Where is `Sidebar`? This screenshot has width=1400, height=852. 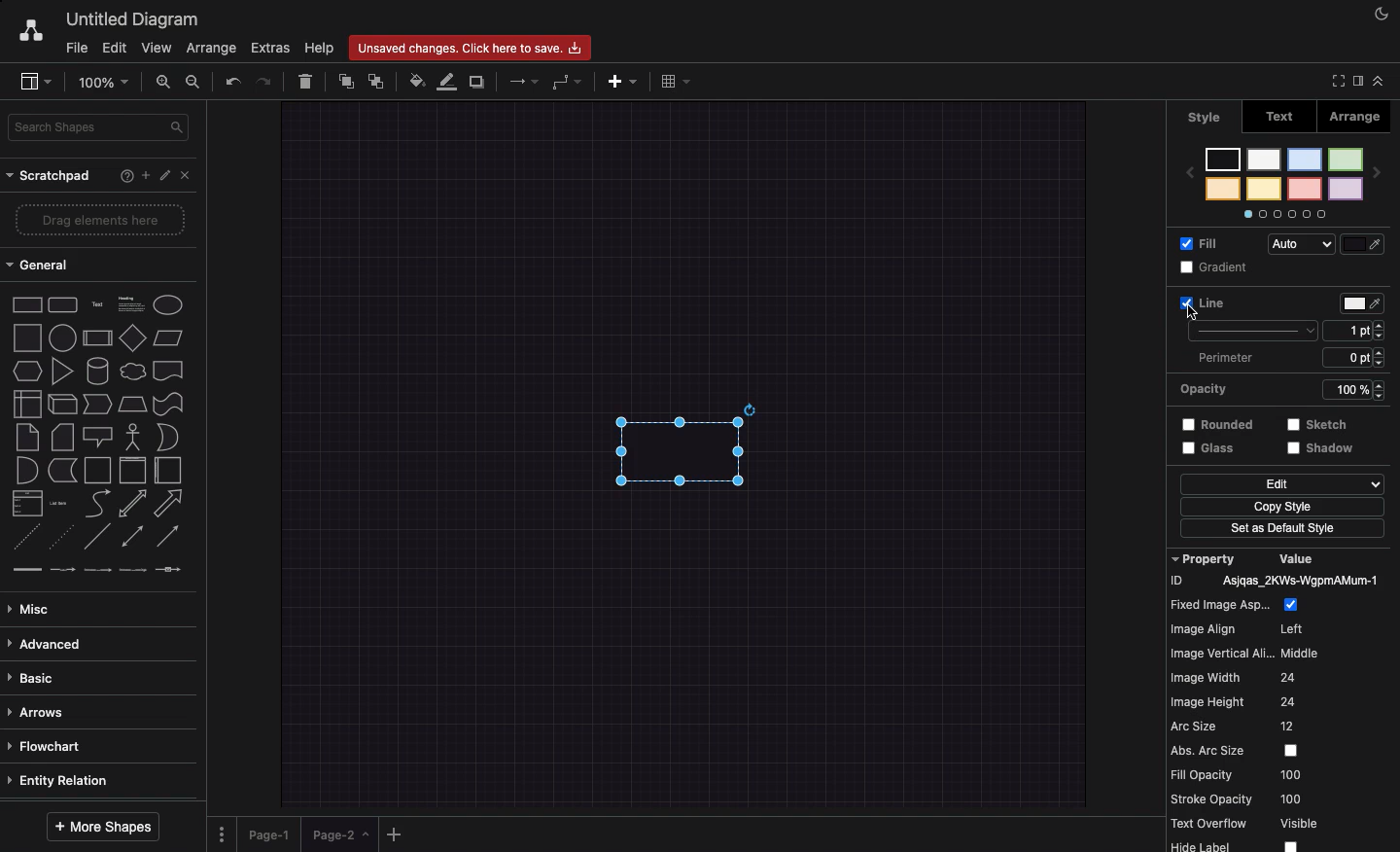
Sidebar is located at coordinates (37, 83).